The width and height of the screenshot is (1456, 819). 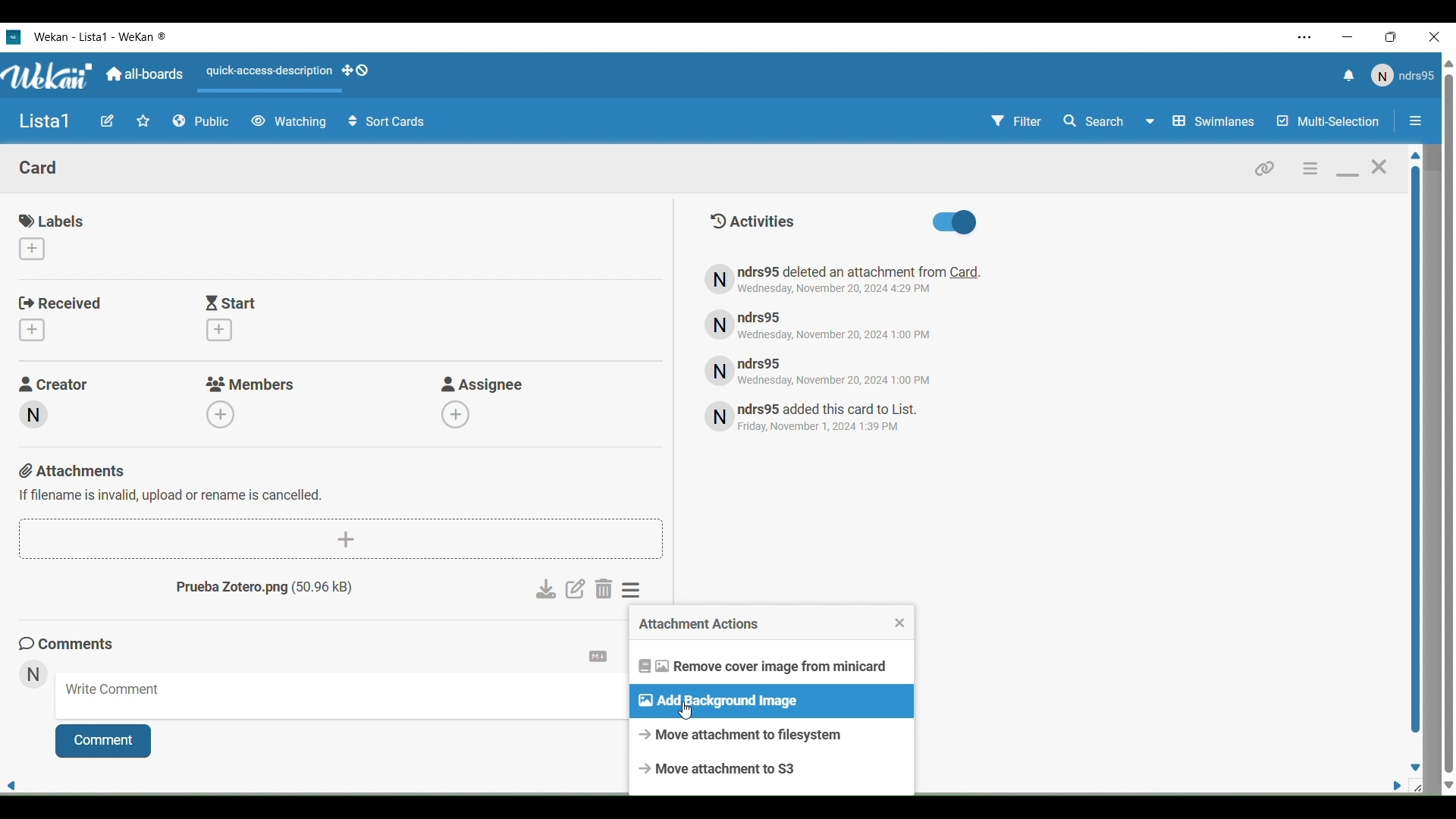 What do you see at coordinates (604, 590) in the screenshot?
I see `Delete` at bounding box center [604, 590].